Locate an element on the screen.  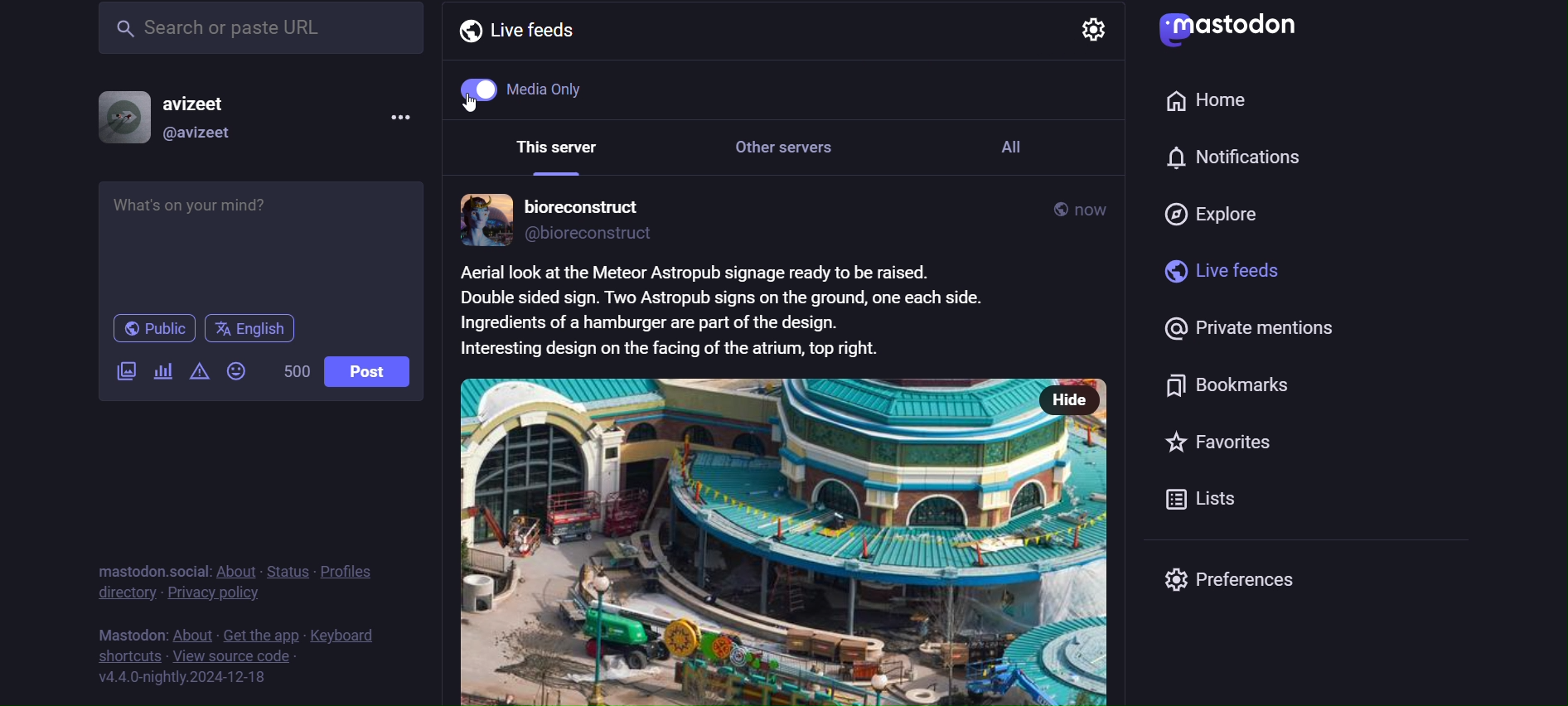
setting is located at coordinates (1091, 29).